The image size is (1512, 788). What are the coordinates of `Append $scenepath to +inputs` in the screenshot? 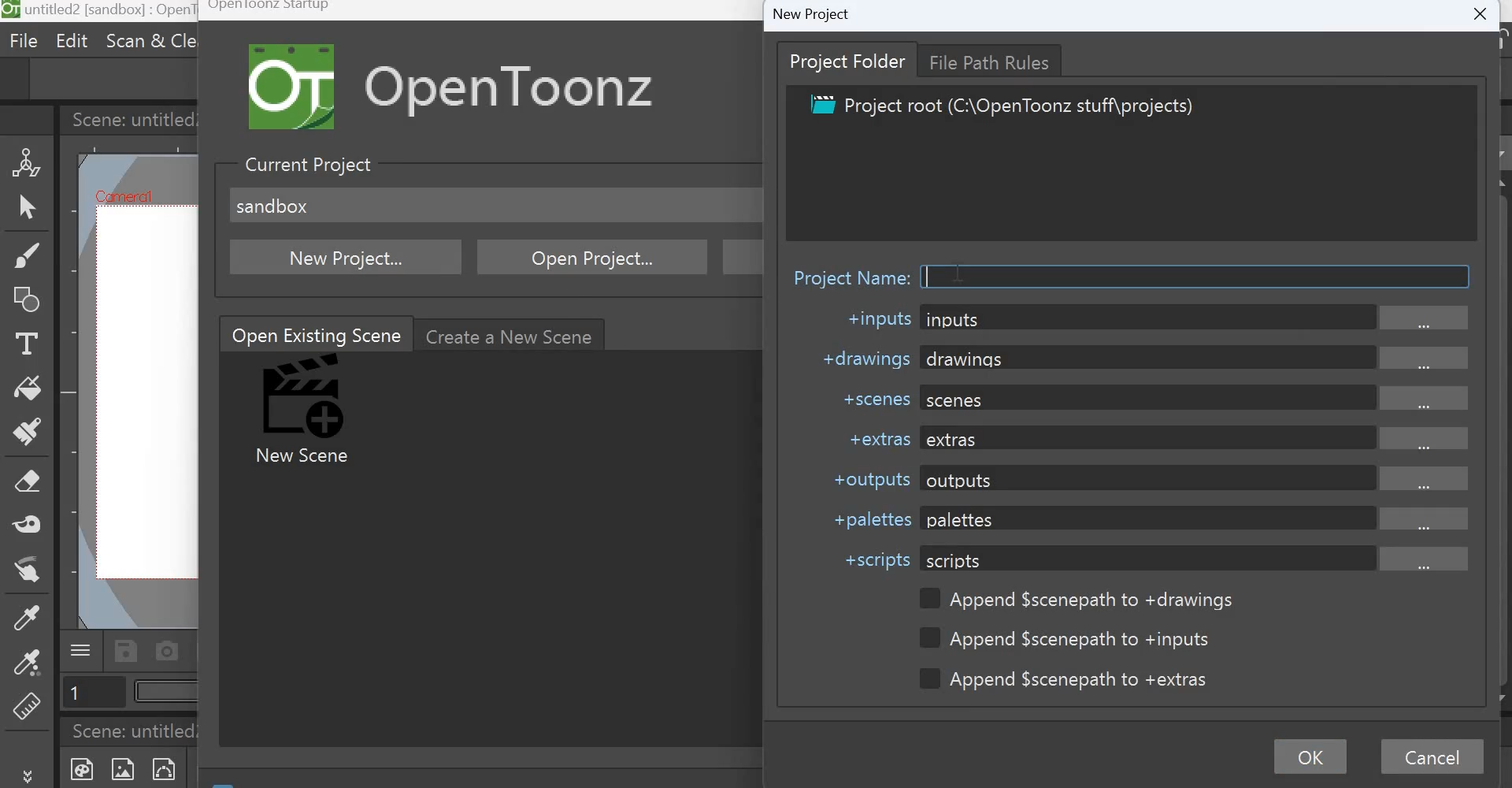 It's located at (1071, 639).